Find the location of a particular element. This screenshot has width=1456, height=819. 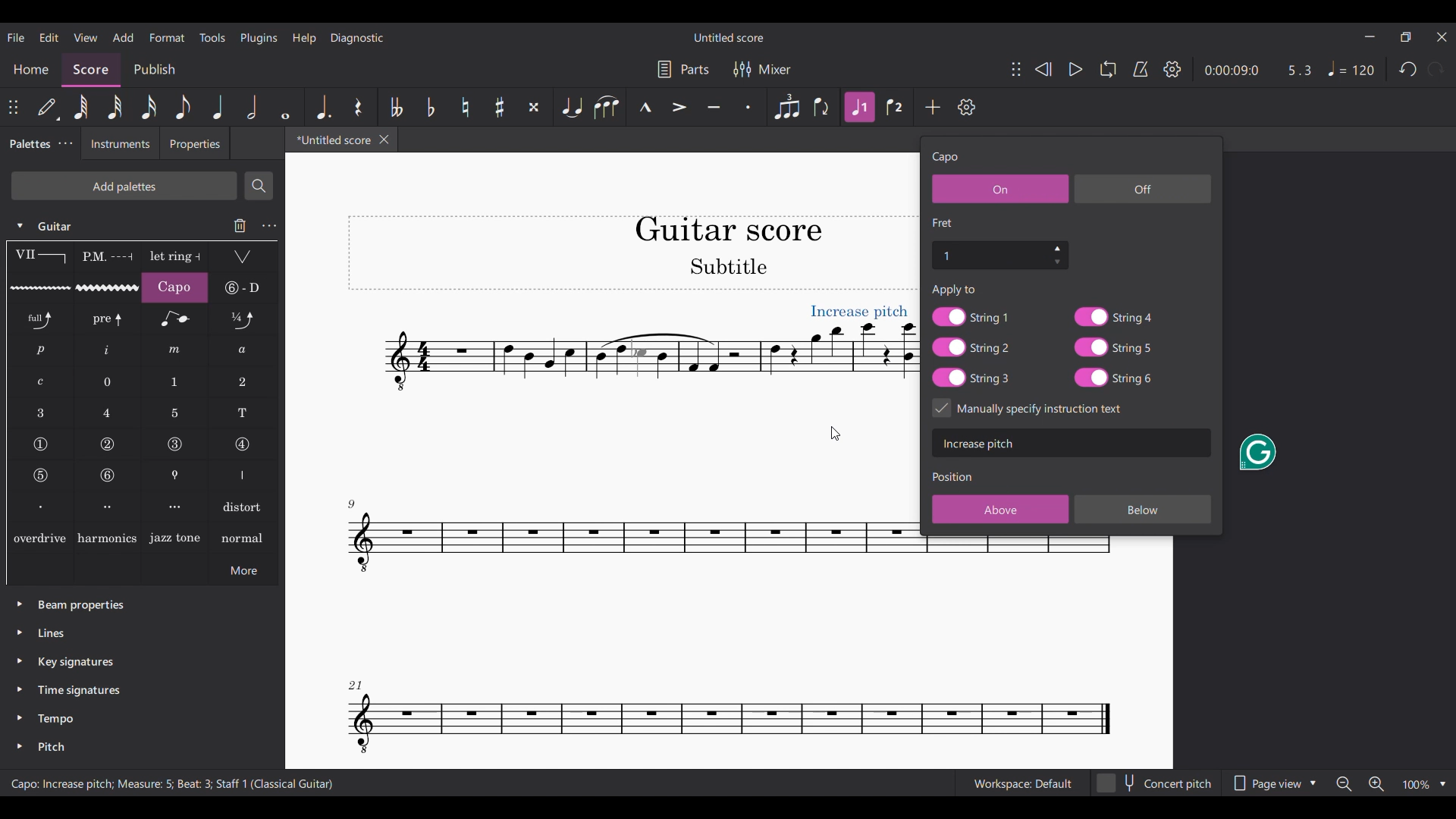

Right hand fingering, third finger is located at coordinates (176, 507).